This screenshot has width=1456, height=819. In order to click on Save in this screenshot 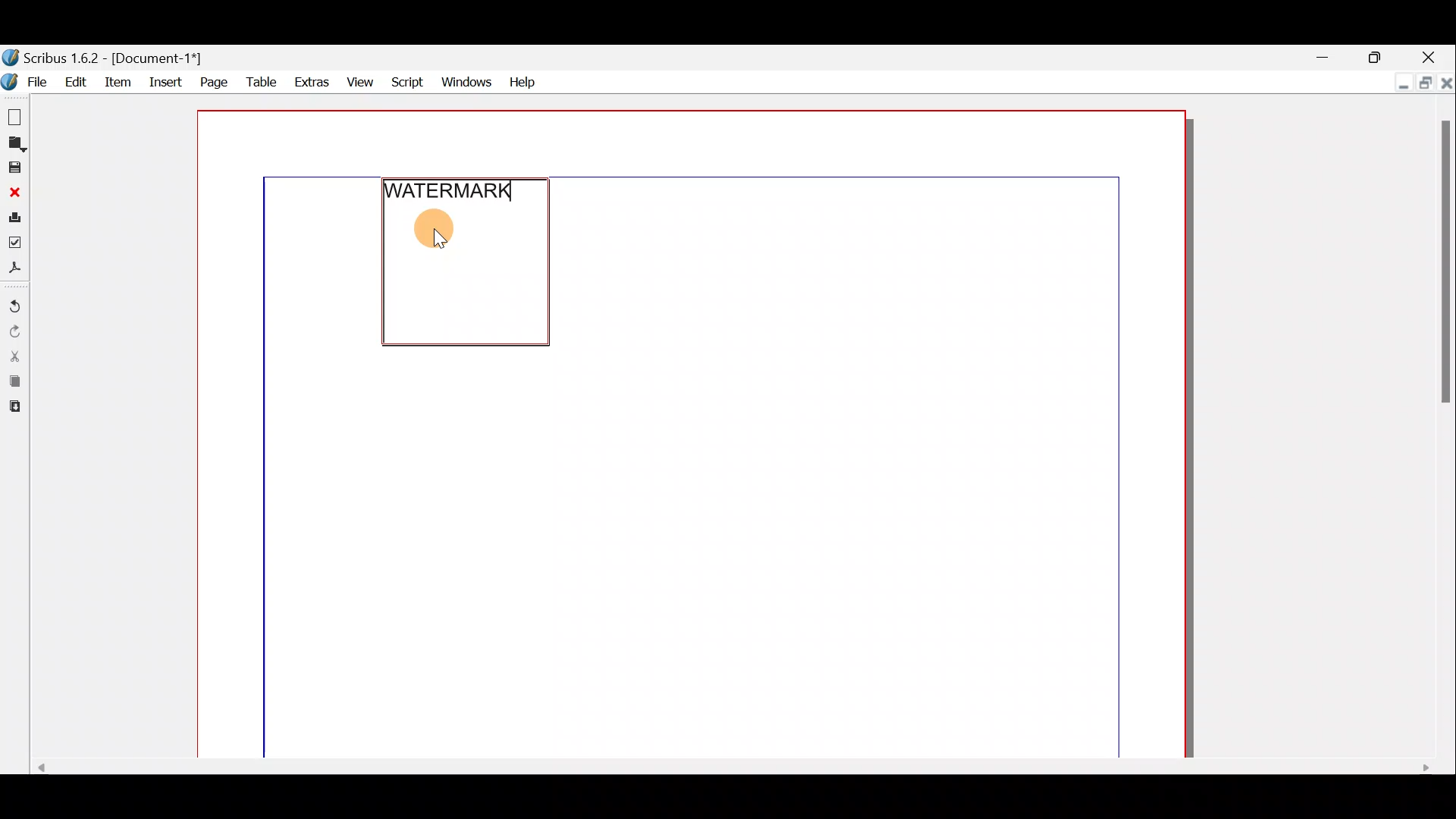, I will do `click(14, 168)`.